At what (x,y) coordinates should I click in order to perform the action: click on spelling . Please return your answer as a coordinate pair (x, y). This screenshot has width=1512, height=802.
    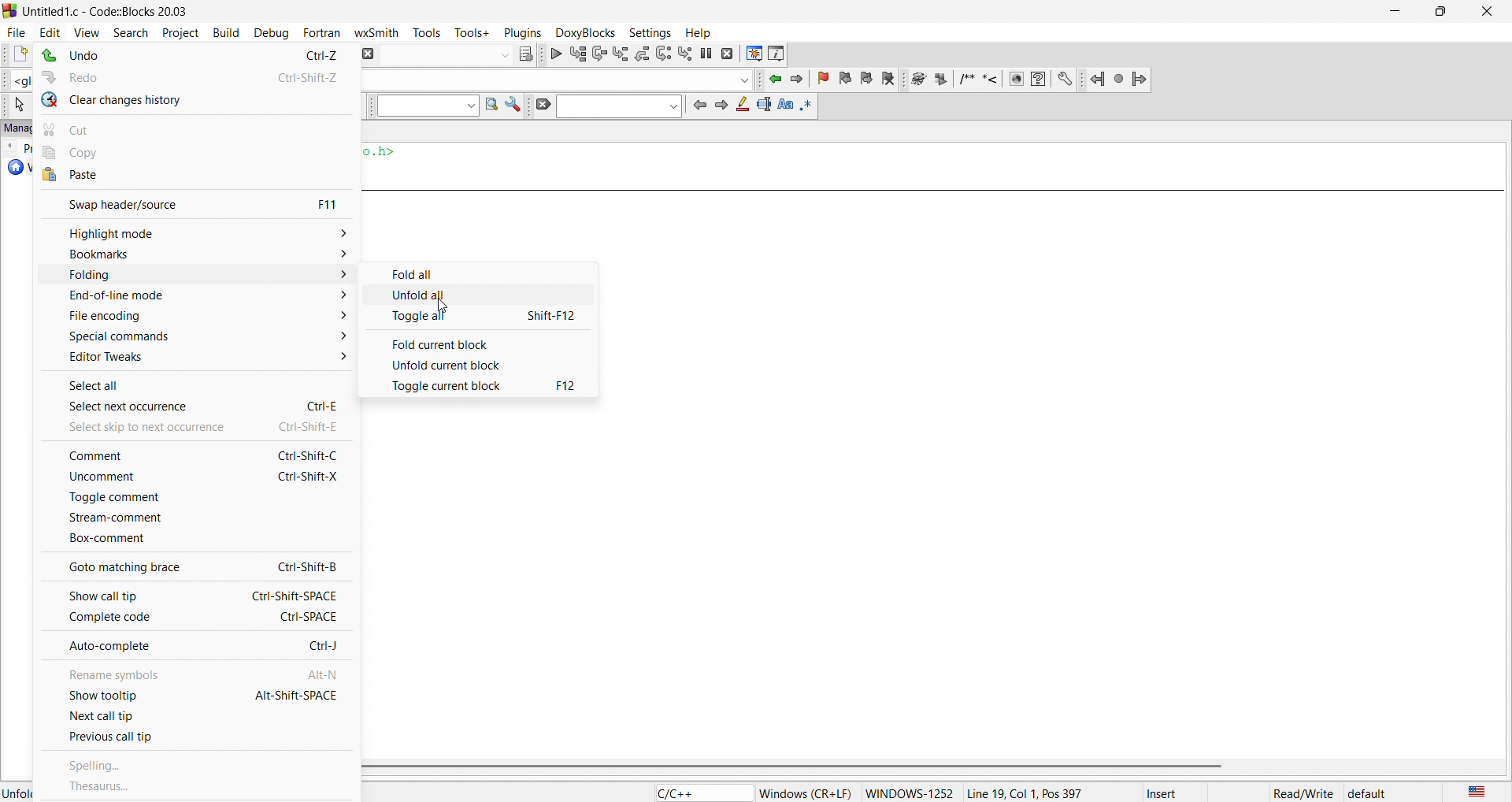
    Looking at the image, I should click on (198, 767).